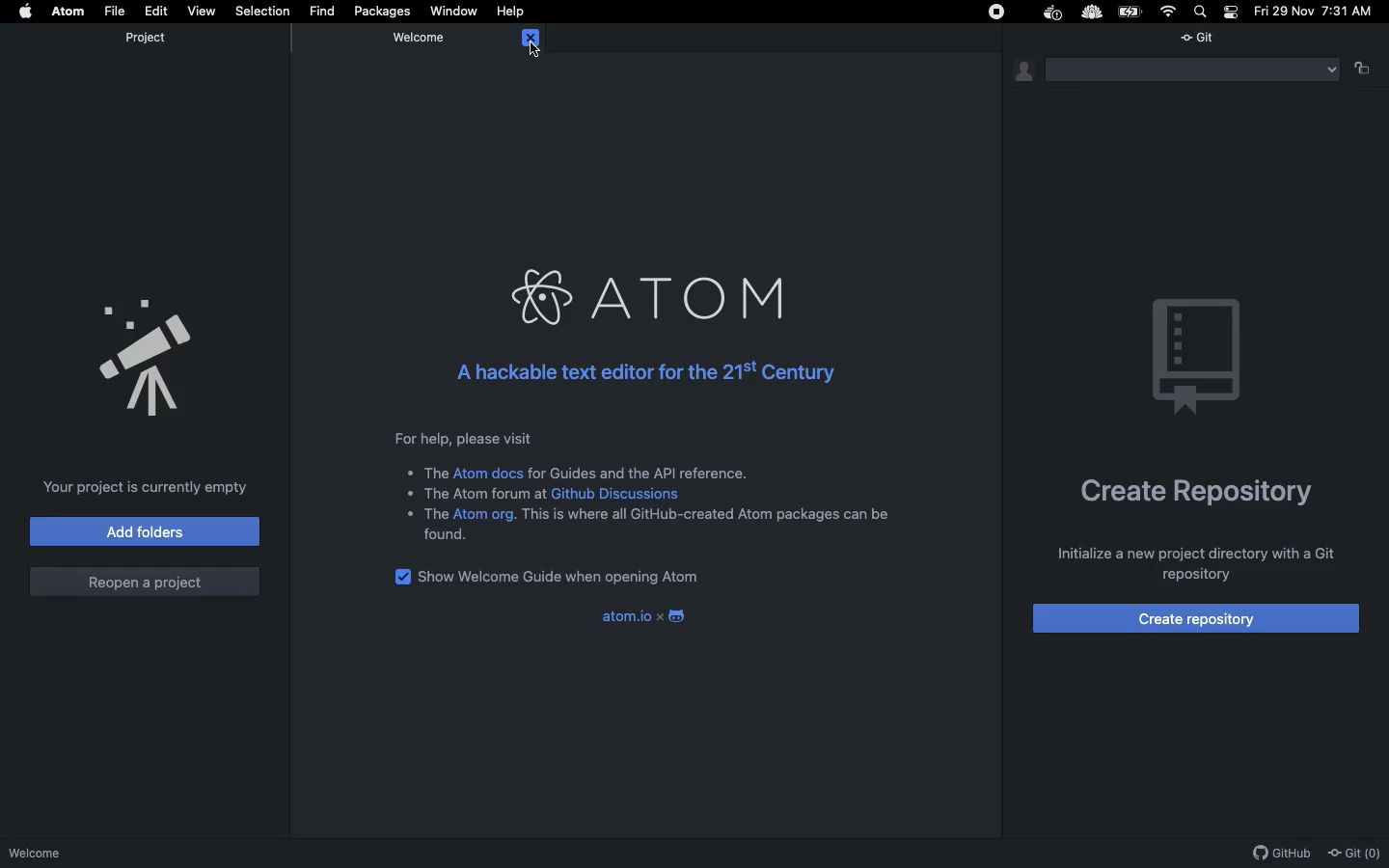 Image resolution: width=1389 pixels, height=868 pixels. Describe the element at coordinates (264, 12) in the screenshot. I see `Selection` at that location.